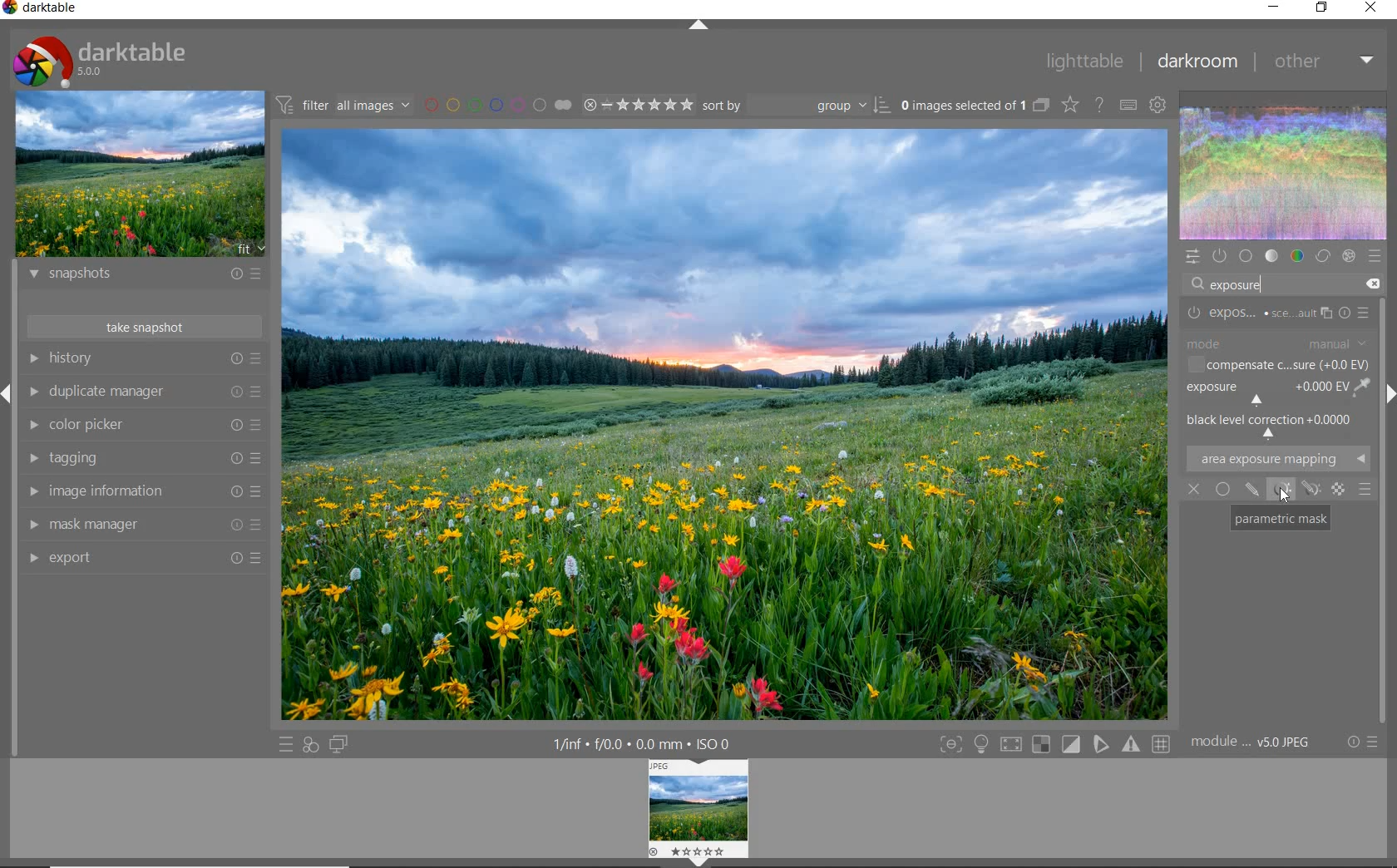 Image resolution: width=1397 pixels, height=868 pixels. Describe the element at coordinates (644, 744) in the screenshot. I see `other display information` at that location.